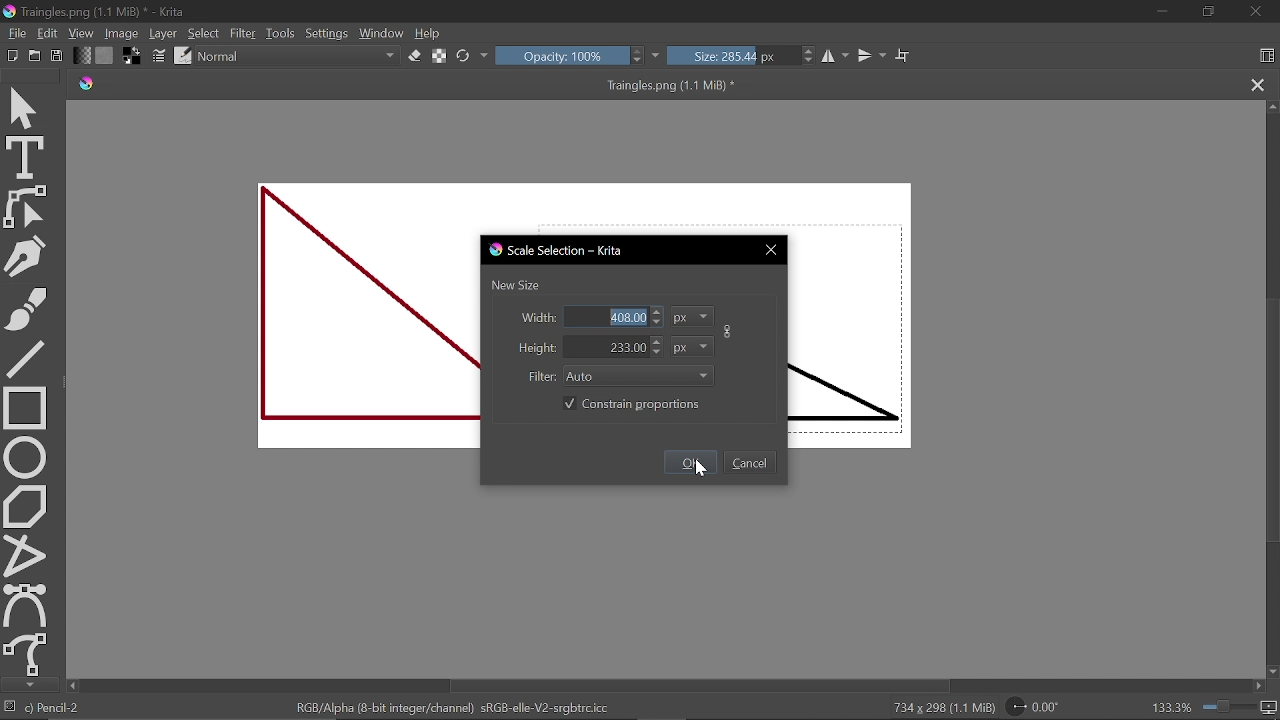 The height and width of the screenshot is (720, 1280). Describe the element at coordinates (161, 57) in the screenshot. I see `Choose brush settings` at that location.